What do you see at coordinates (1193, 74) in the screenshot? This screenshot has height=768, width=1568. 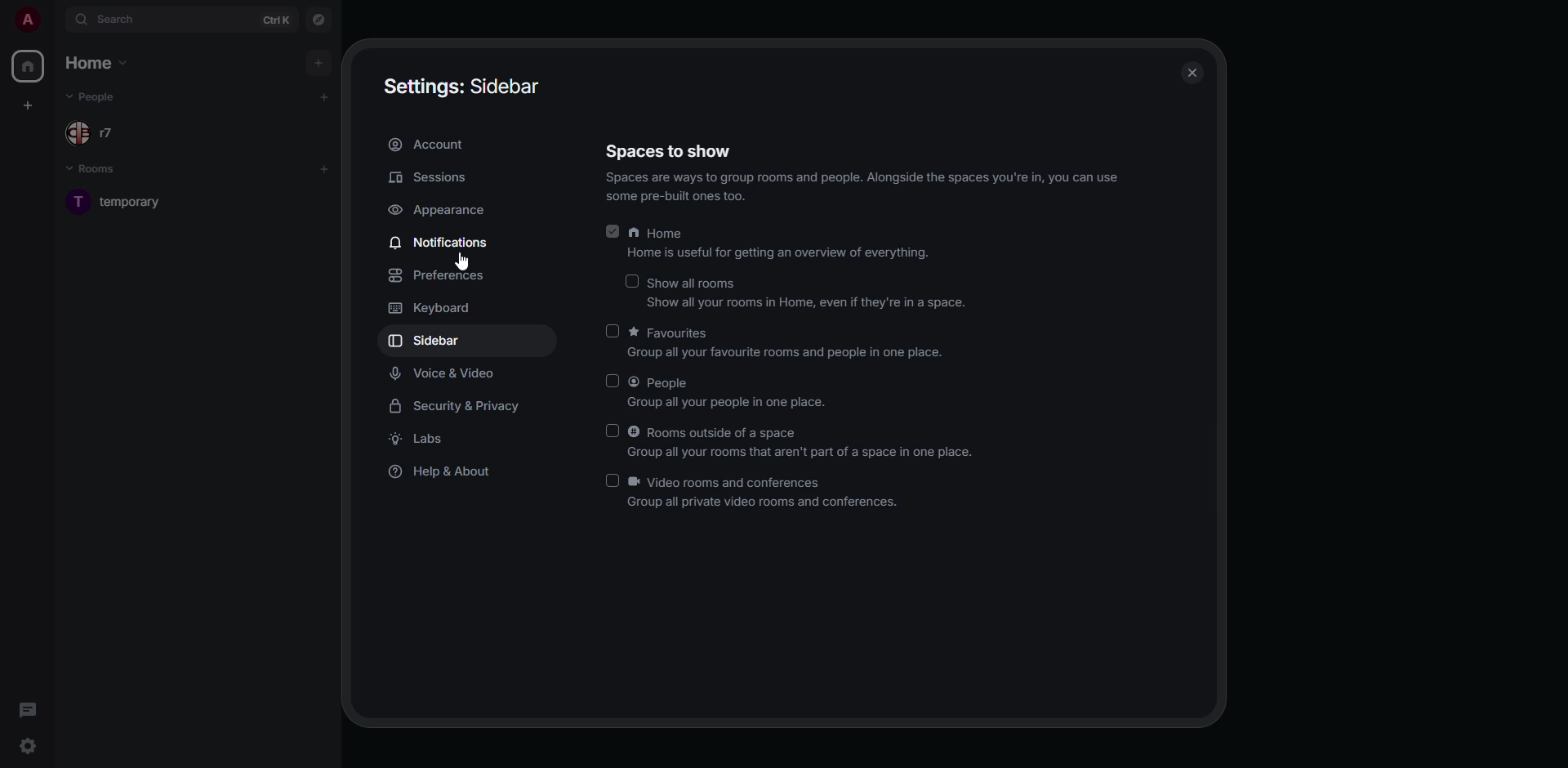 I see `close` at bounding box center [1193, 74].